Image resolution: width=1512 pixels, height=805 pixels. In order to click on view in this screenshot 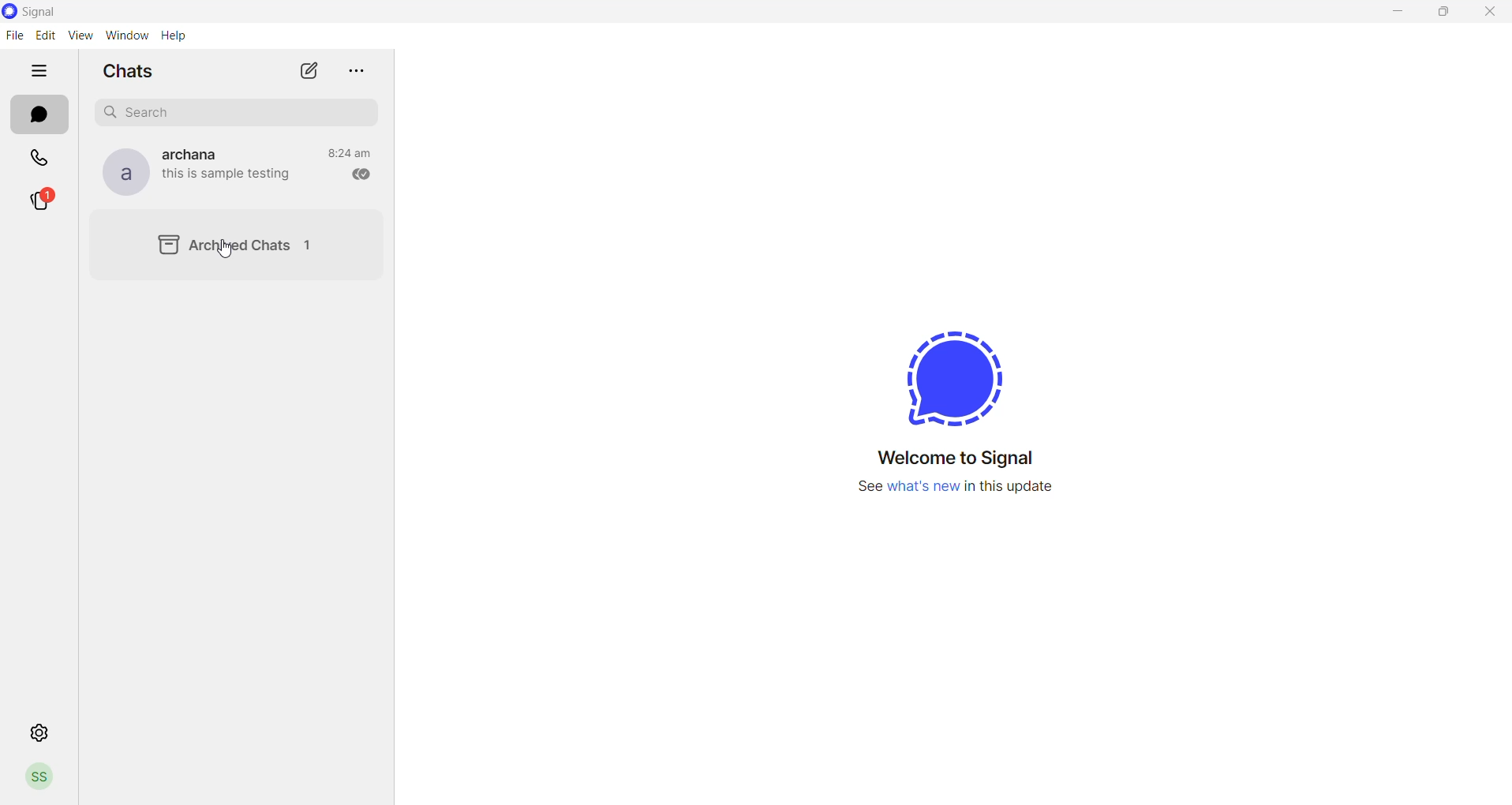, I will do `click(78, 36)`.